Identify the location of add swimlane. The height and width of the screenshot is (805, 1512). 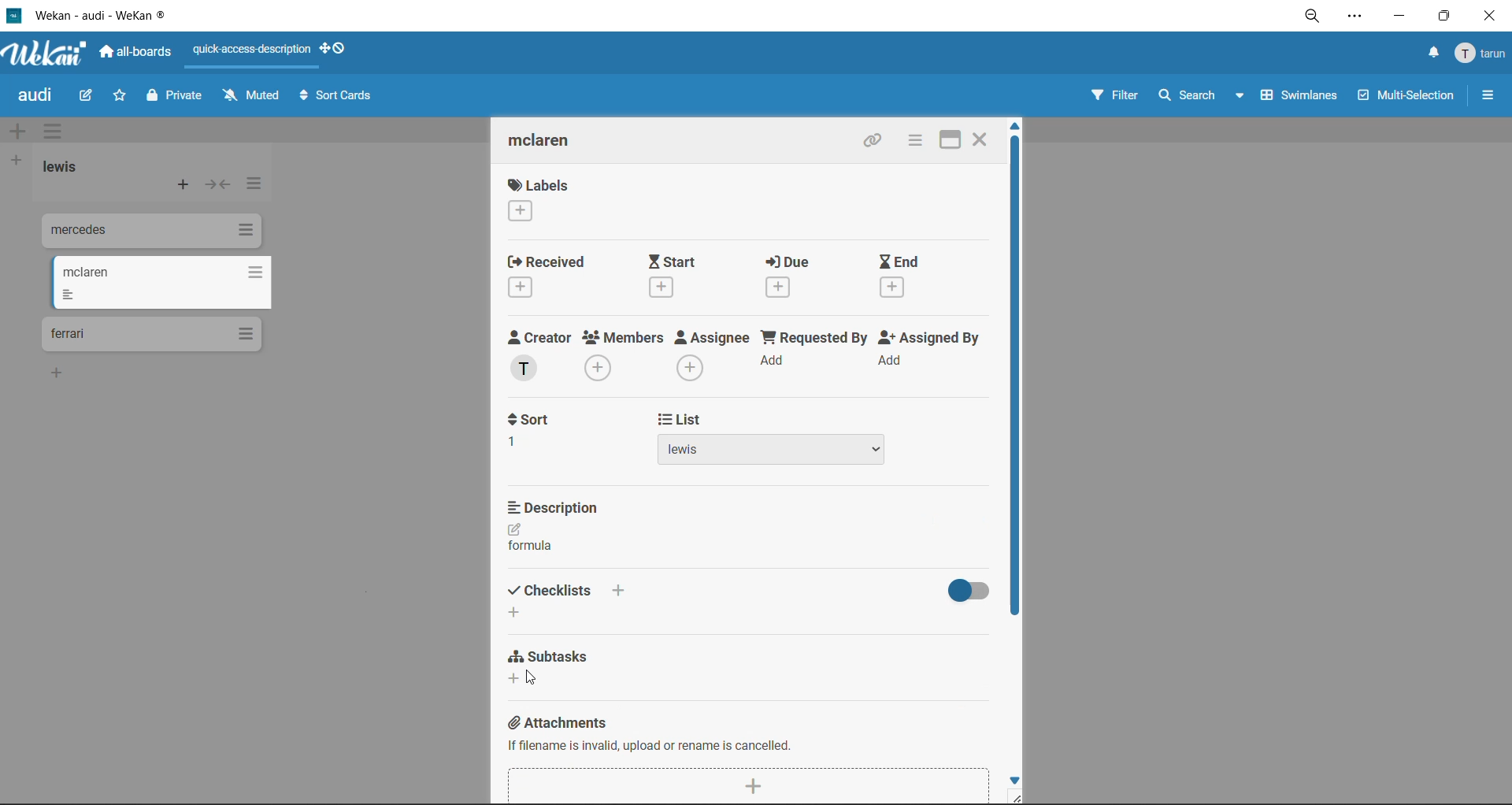
(21, 132).